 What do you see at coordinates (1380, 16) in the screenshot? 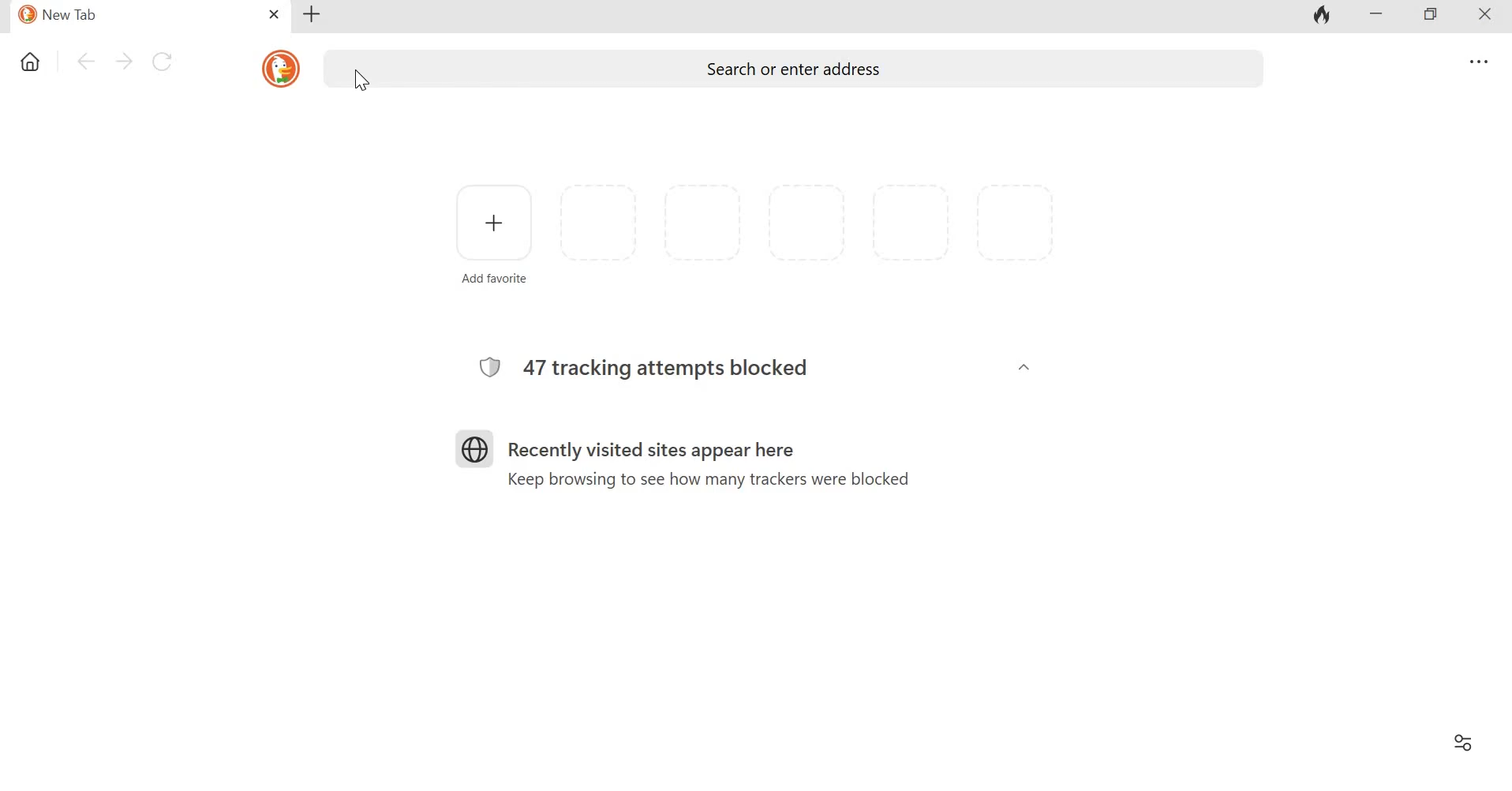
I see `Minimize` at bounding box center [1380, 16].